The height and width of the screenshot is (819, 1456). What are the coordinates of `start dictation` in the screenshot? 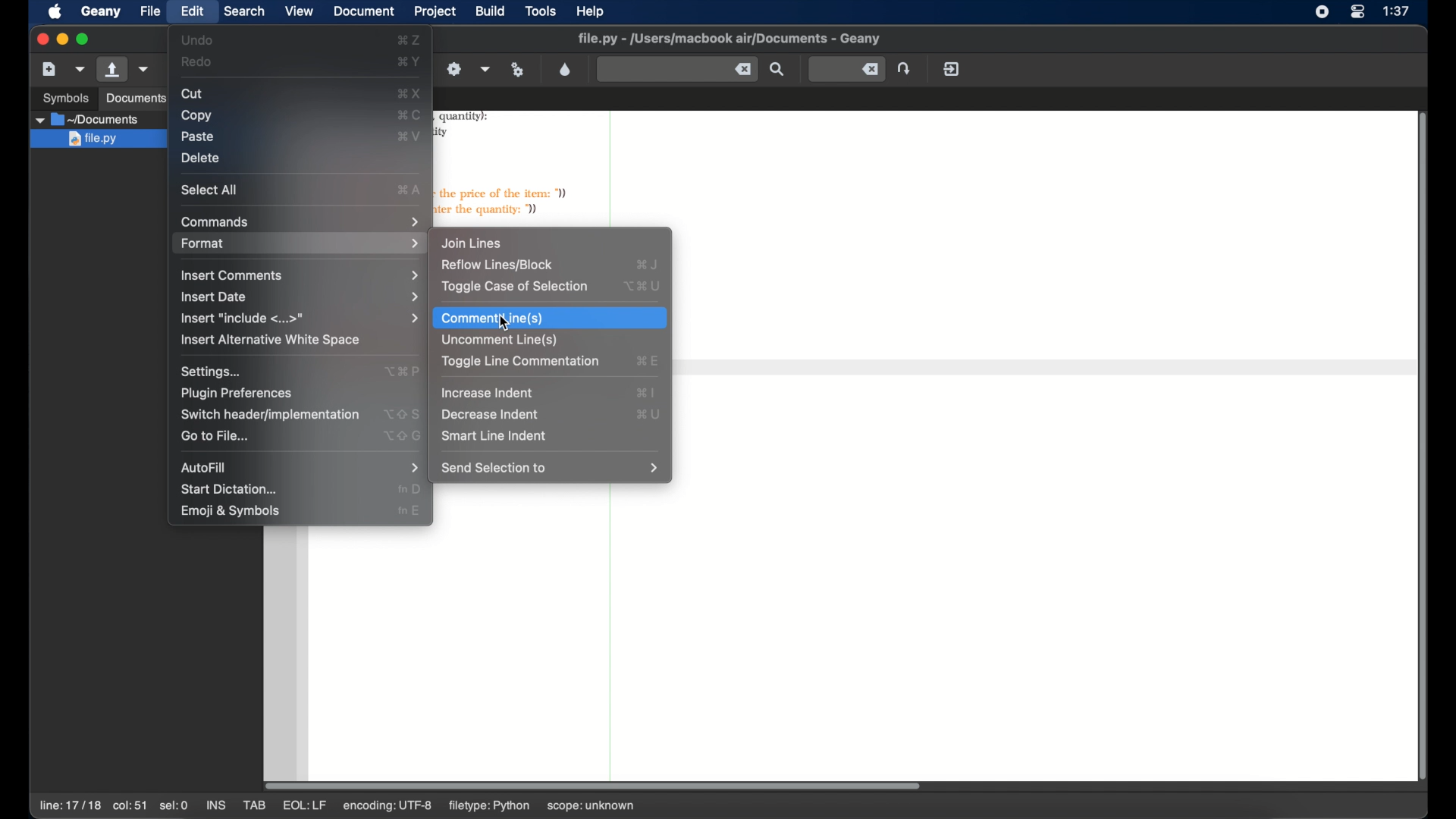 It's located at (227, 490).